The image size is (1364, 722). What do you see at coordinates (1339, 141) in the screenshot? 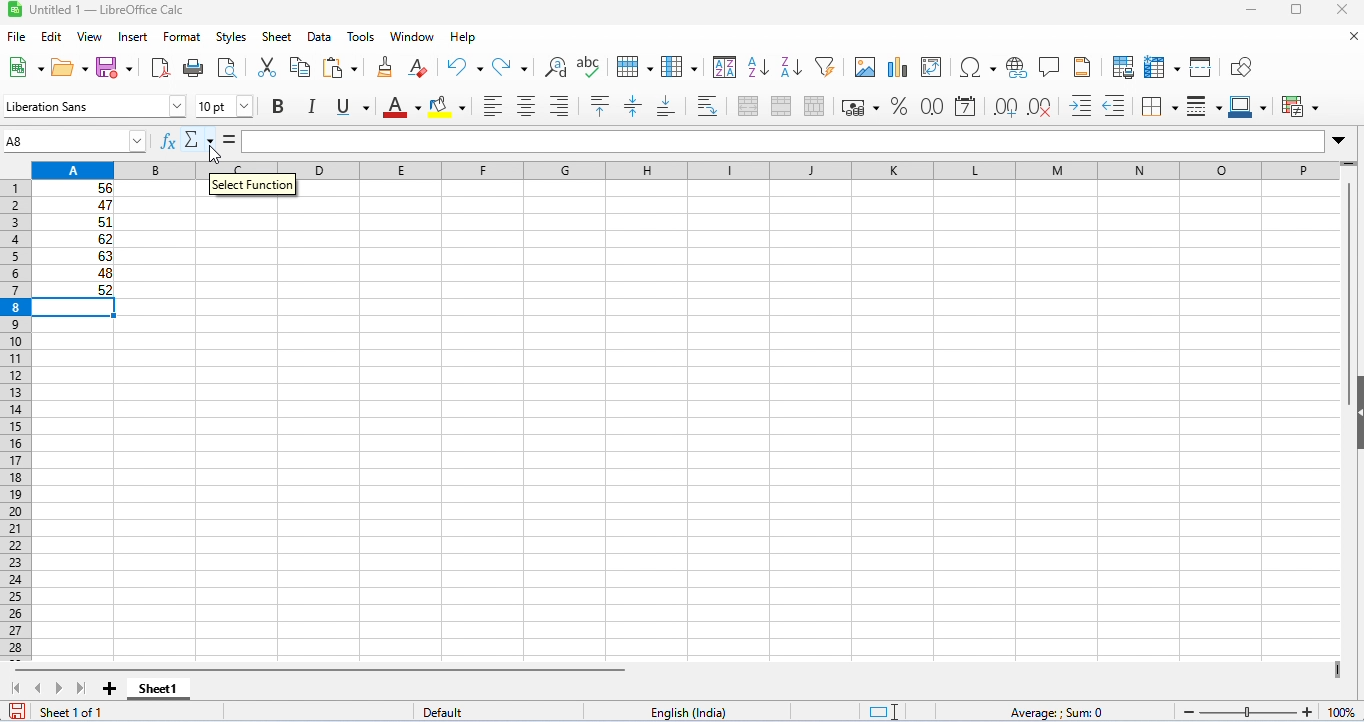
I see `expand` at bounding box center [1339, 141].